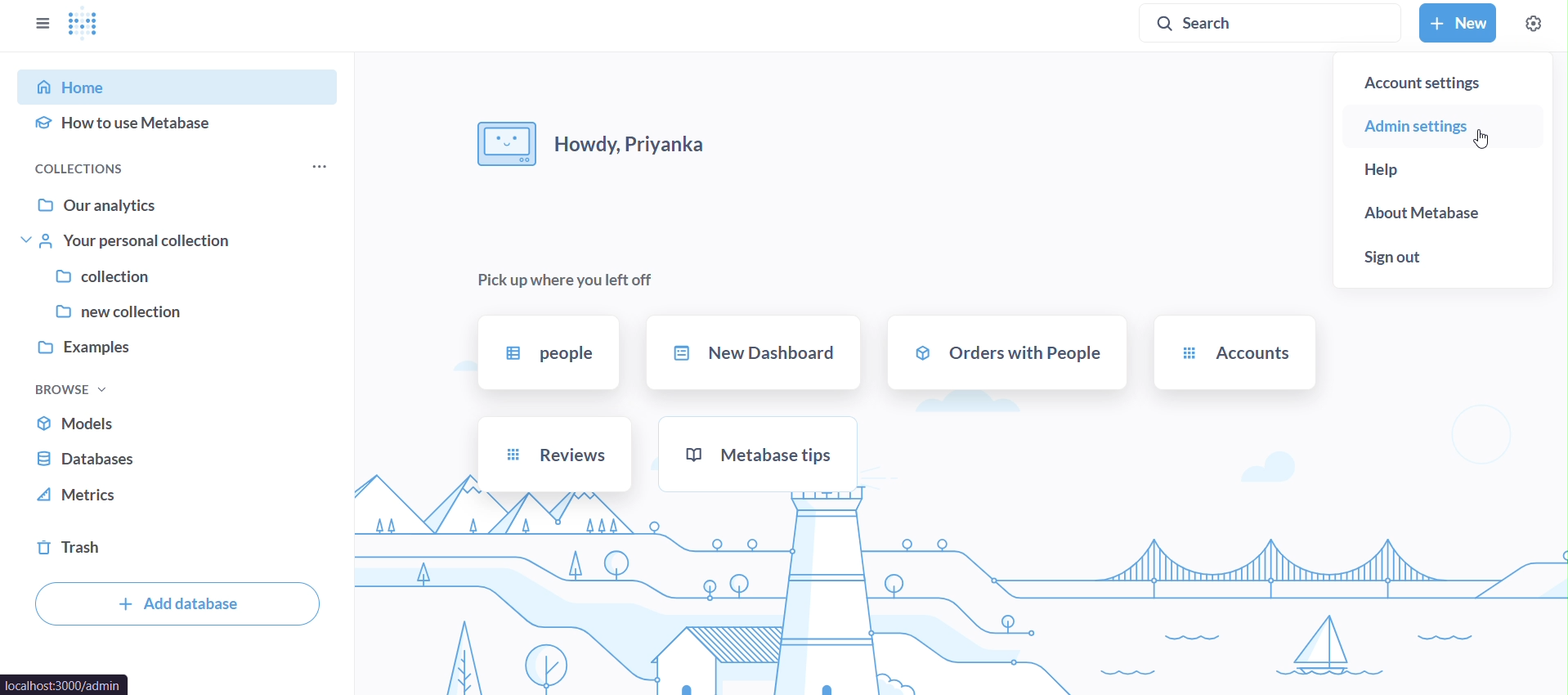 This screenshot has width=1568, height=695. Describe the element at coordinates (178, 496) in the screenshot. I see `metrics` at that location.